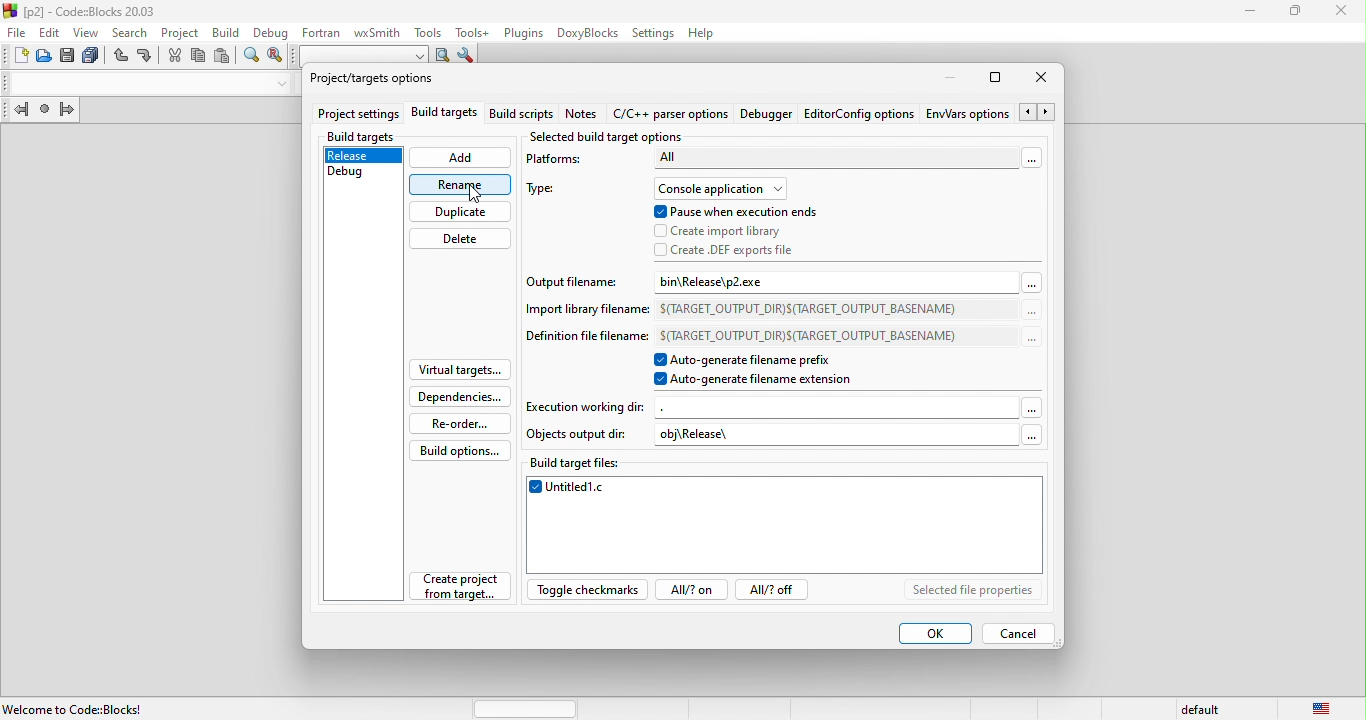  I want to click on copy, so click(199, 59).